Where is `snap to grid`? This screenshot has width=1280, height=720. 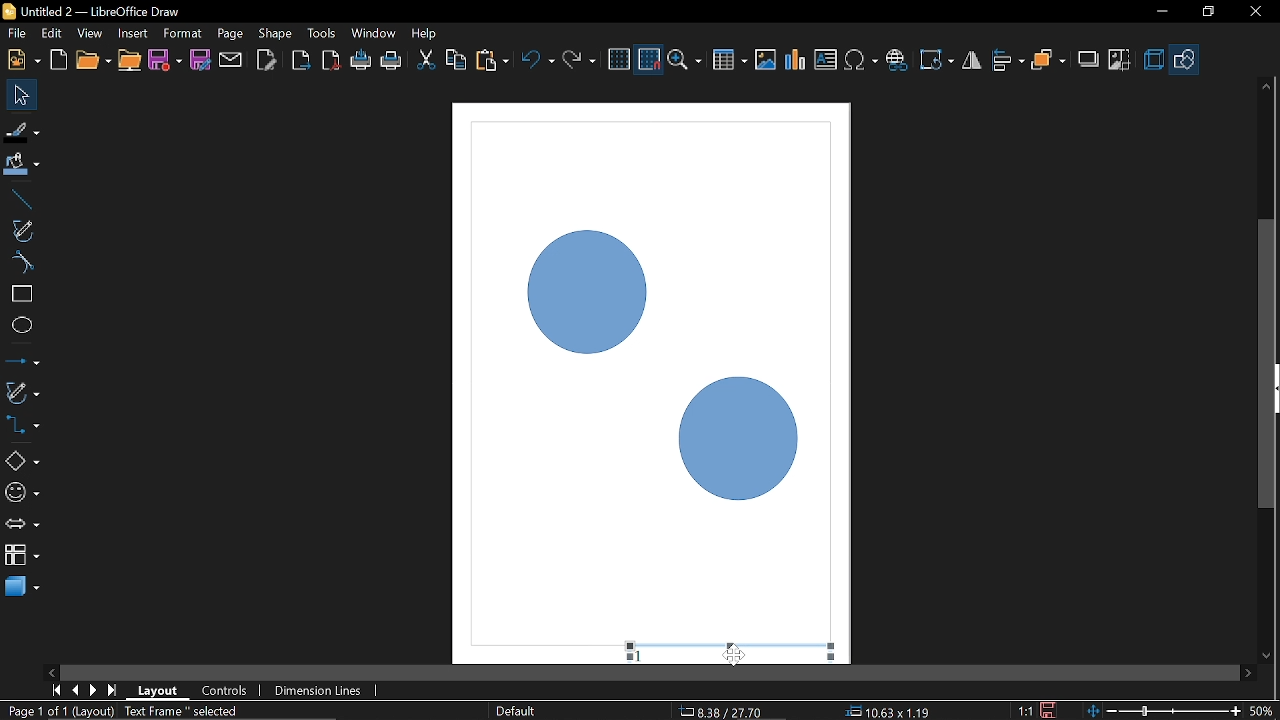
snap to grid is located at coordinates (650, 60).